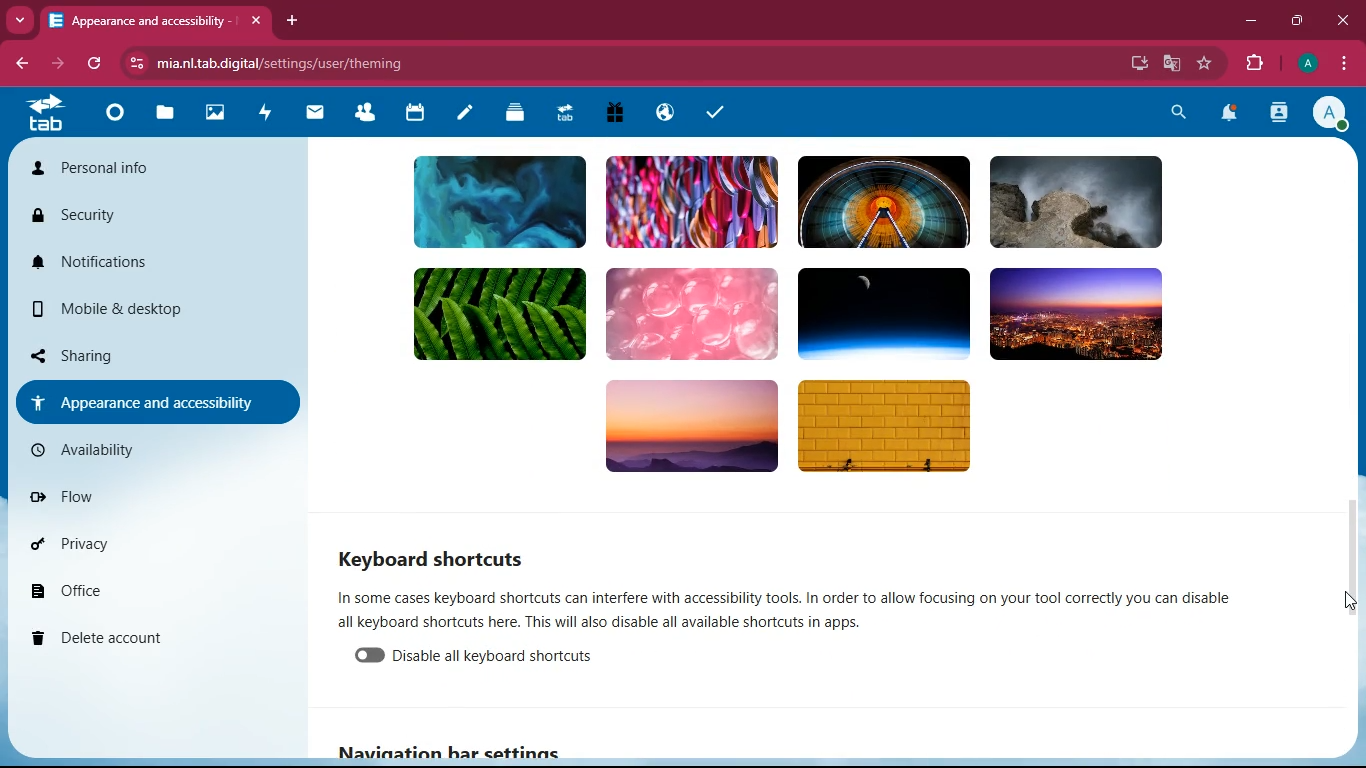 The height and width of the screenshot is (768, 1366). Describe the element at coordinates (1345, 603) in the screenshot. I see `cursor` at that location.